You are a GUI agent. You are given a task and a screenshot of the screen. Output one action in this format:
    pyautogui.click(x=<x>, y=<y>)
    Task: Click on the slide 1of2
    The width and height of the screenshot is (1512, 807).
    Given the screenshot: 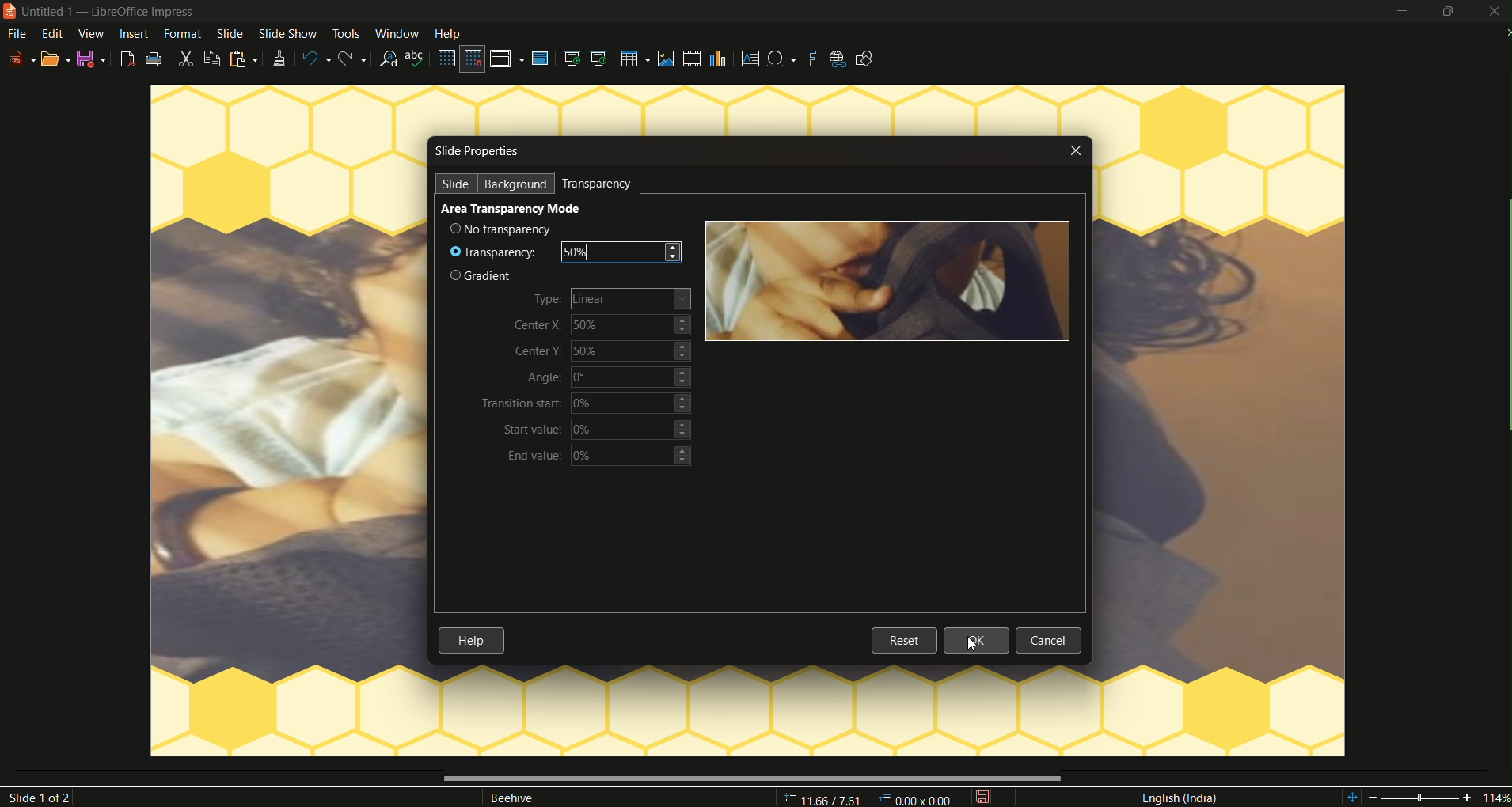 What is the action you would take?
    pyautogui.click(x=44, y=798)
    